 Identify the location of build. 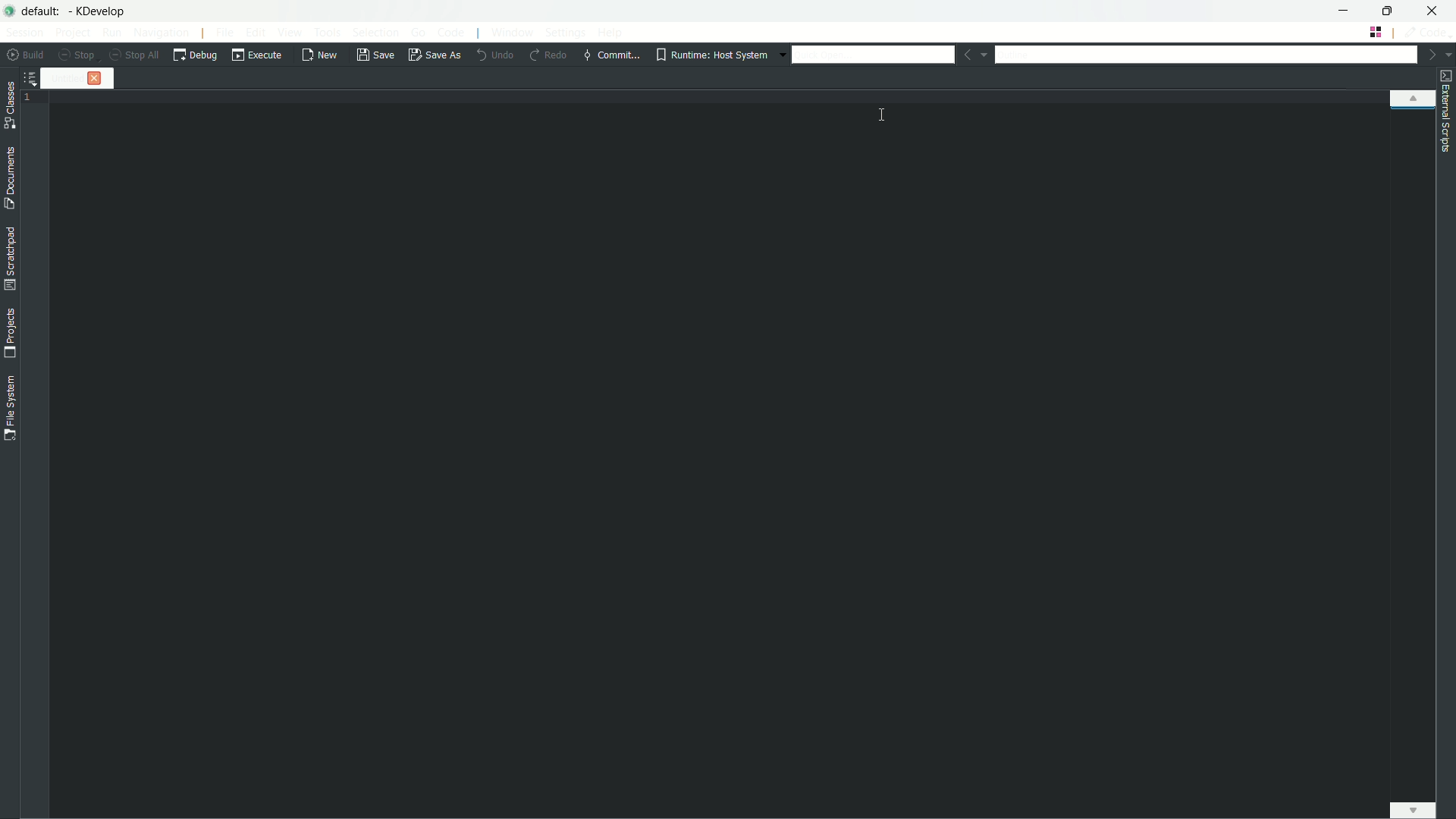
(28, 55).